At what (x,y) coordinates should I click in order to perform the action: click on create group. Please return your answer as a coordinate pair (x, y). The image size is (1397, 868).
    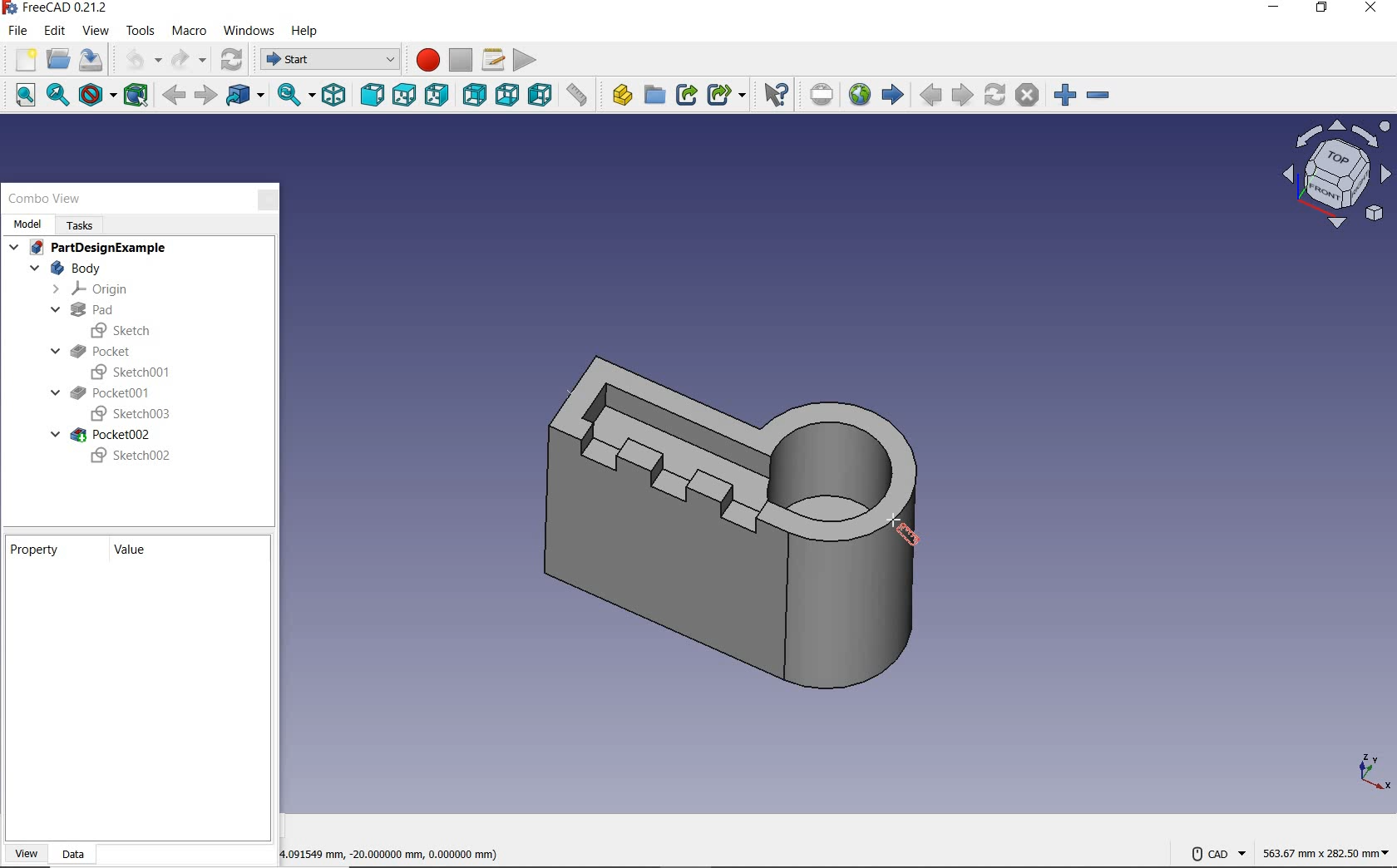
    Looking at the image, I should click on (654, 96).